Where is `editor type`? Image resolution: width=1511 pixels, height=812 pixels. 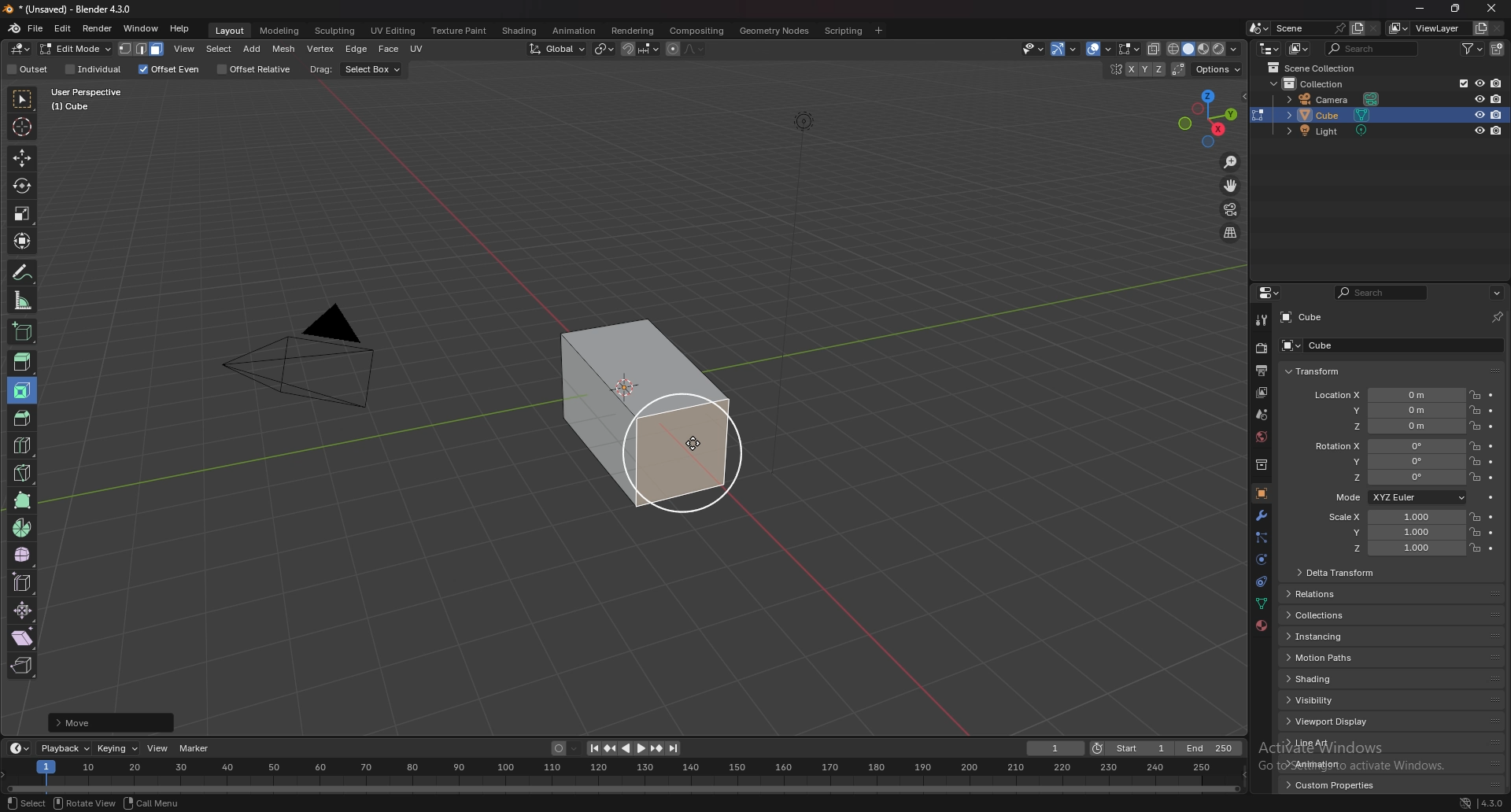
editor type is located at coordinates (1269, 293).